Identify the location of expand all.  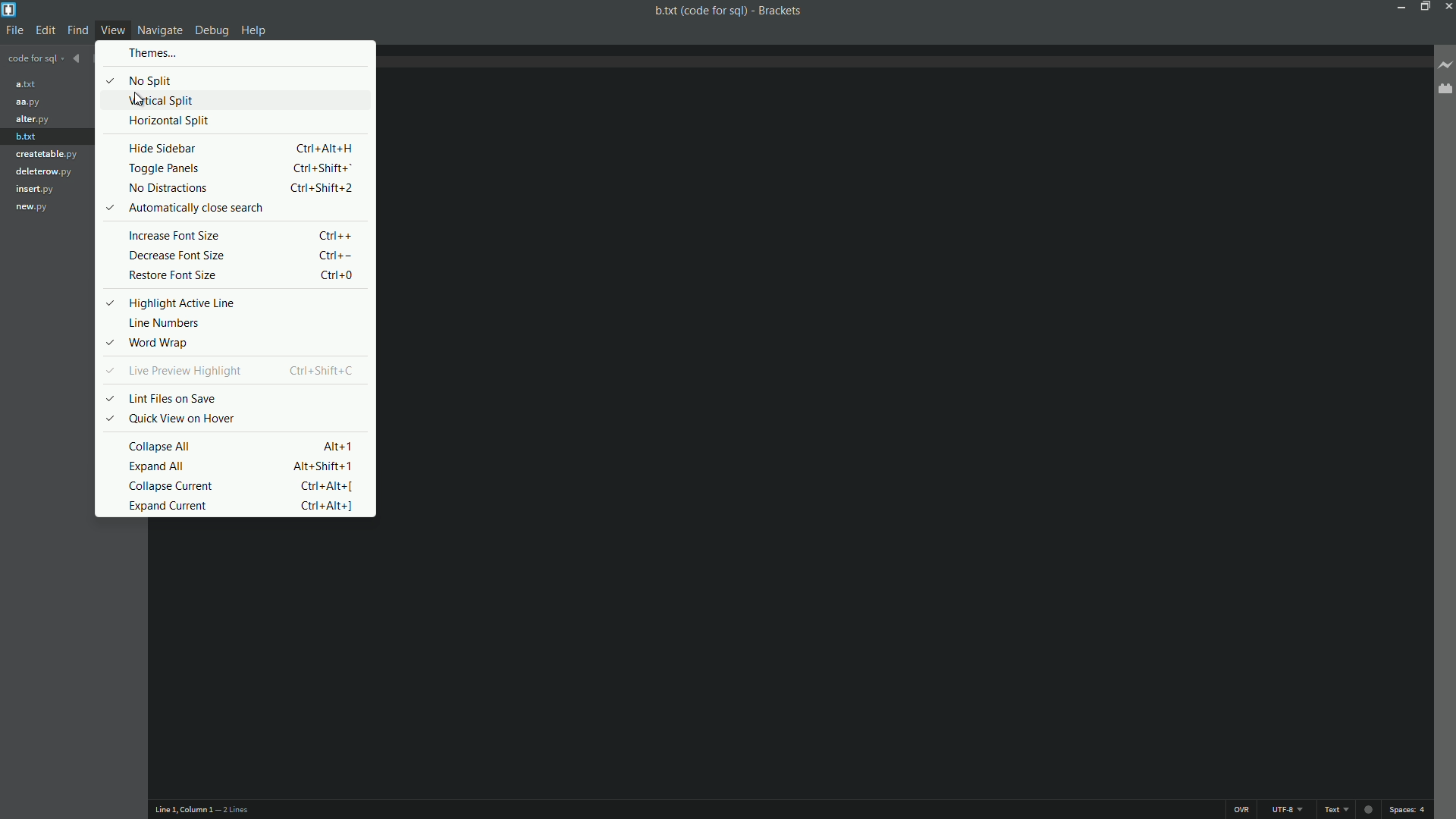
(243, 466).